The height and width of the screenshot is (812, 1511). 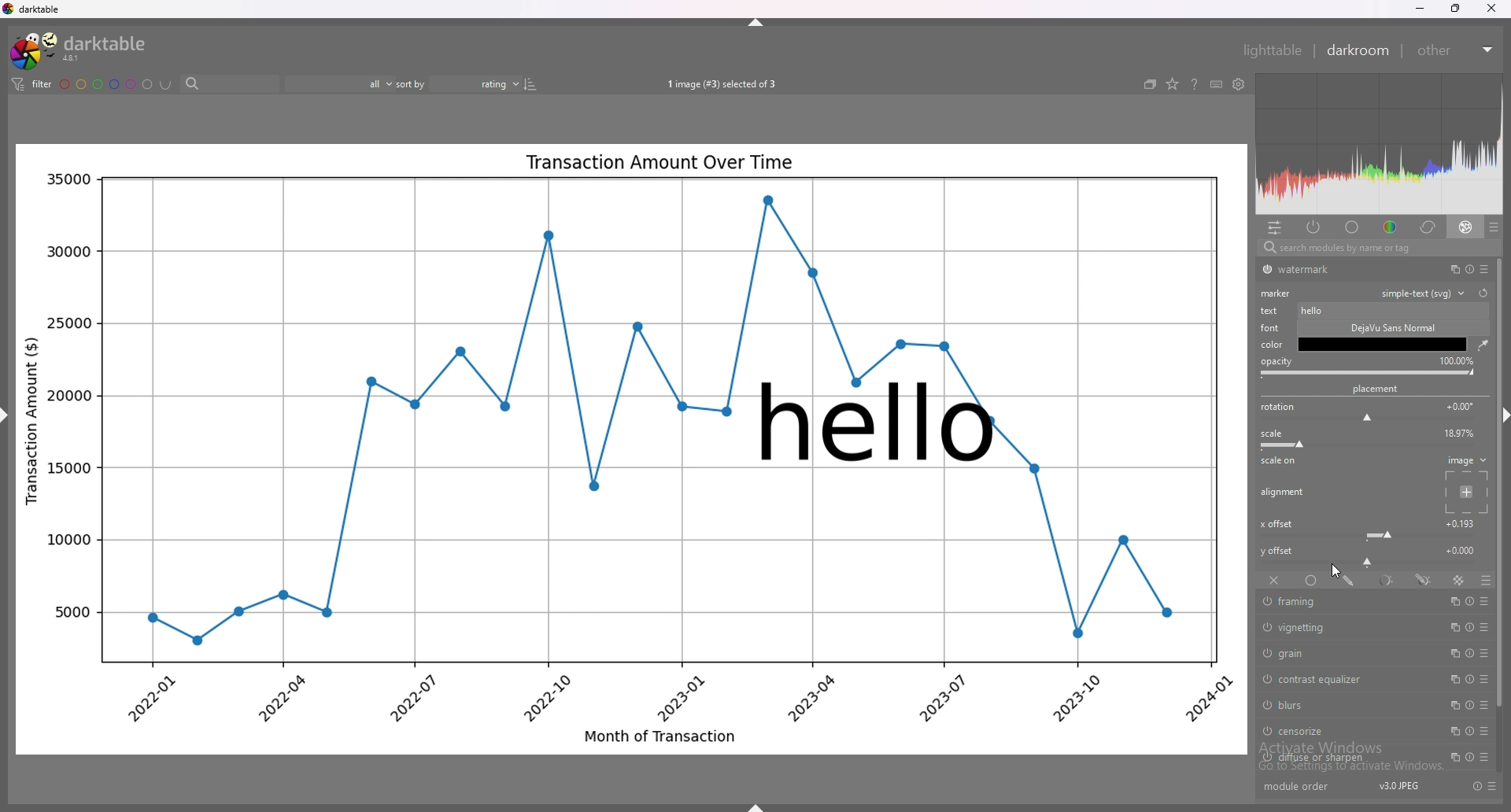 What do you see at coordinates (1216, 84) in the screenshot?
I see `keyboard shortcuts` at bounding box center [1216, 84].